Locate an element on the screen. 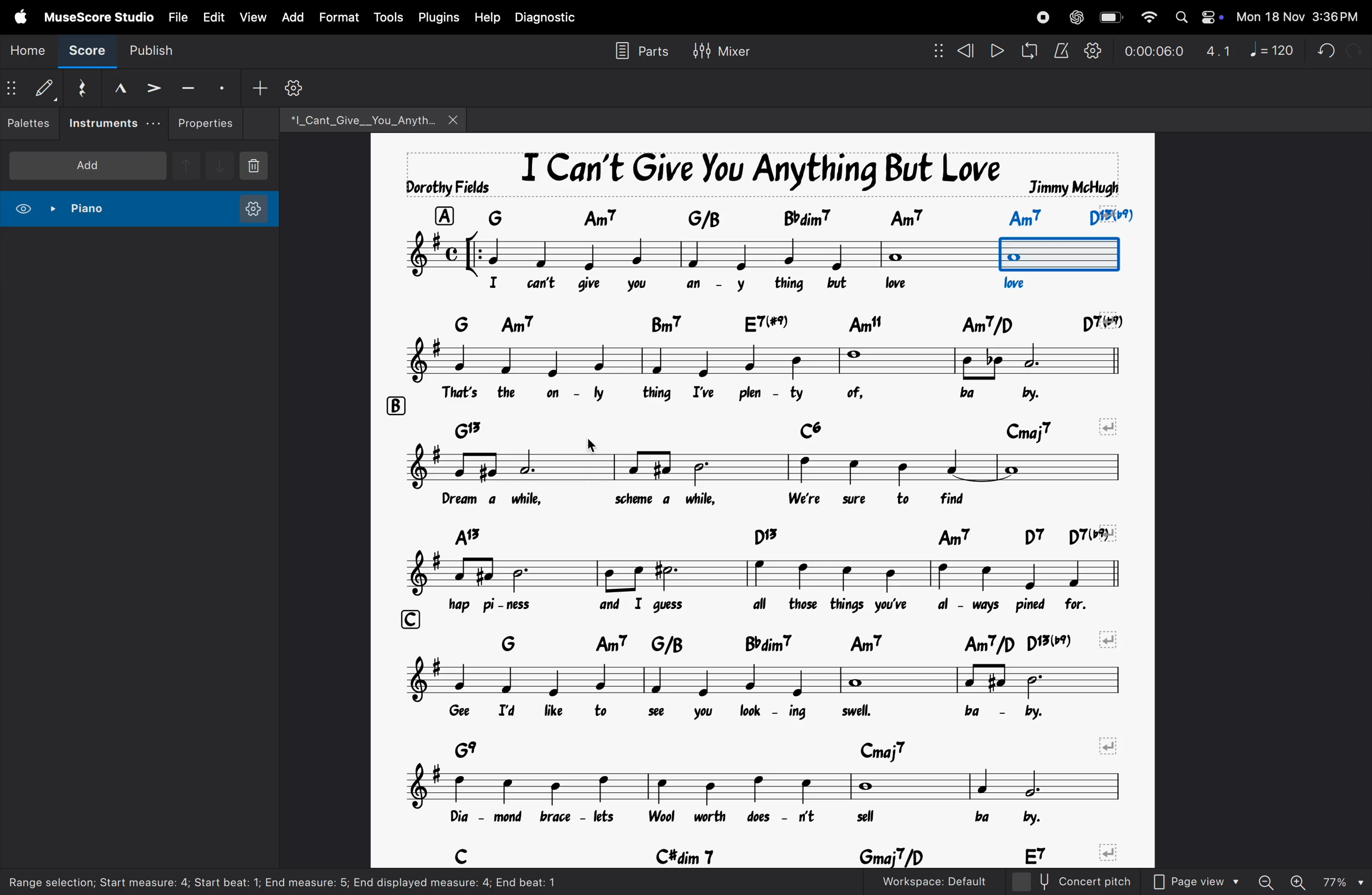 This screenshot has width=1372, height=895. notes is located at coordinates (698, 254).